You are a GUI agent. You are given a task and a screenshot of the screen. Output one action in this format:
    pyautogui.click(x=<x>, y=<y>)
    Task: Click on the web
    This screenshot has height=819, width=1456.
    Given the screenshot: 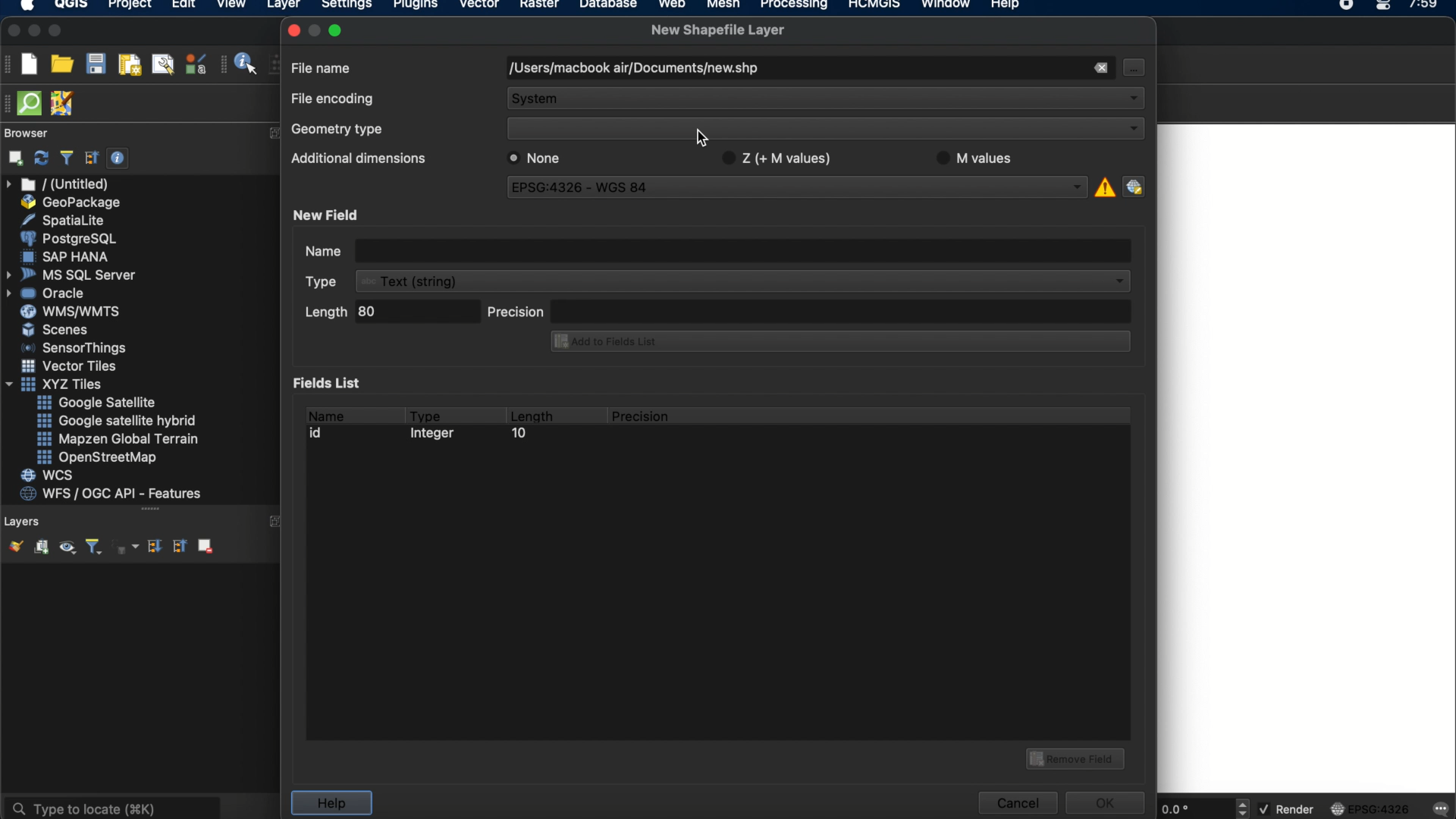 What is the action you would take?
    pyautogui.click(x=673, y=6)
    